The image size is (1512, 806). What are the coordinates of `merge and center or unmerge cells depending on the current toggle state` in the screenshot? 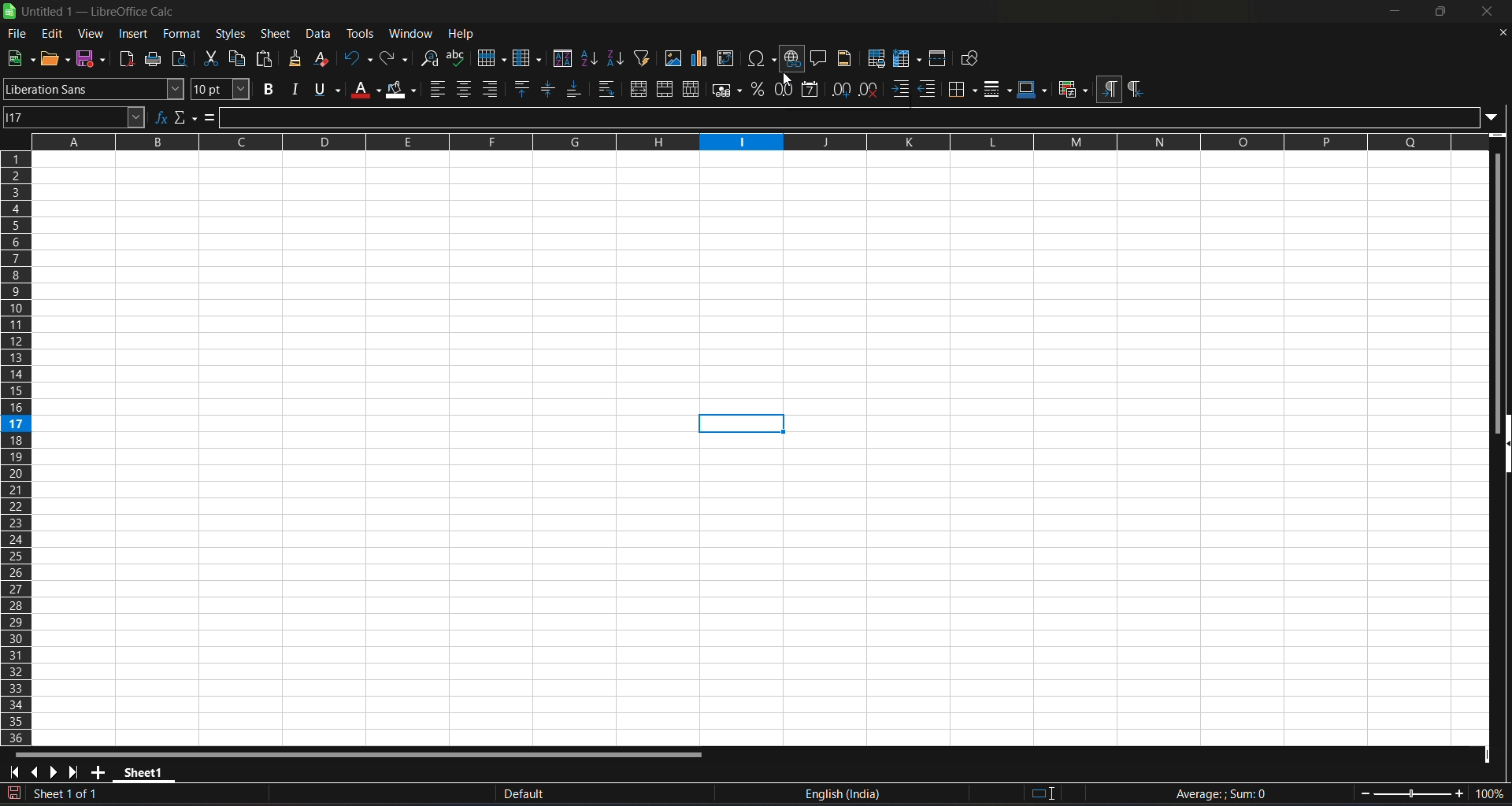 It's located at (638, 88).